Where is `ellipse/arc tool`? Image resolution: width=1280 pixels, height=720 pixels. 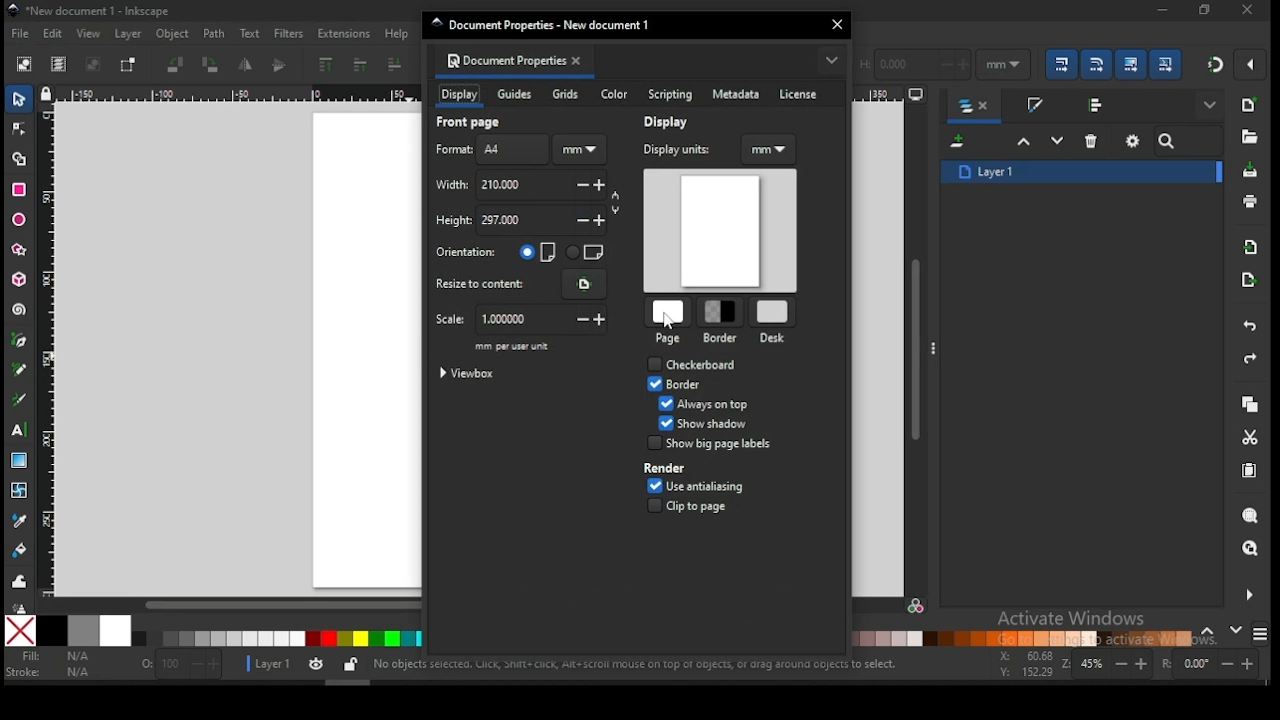
ellipse/arc tool is located at coordinates (20, 221).